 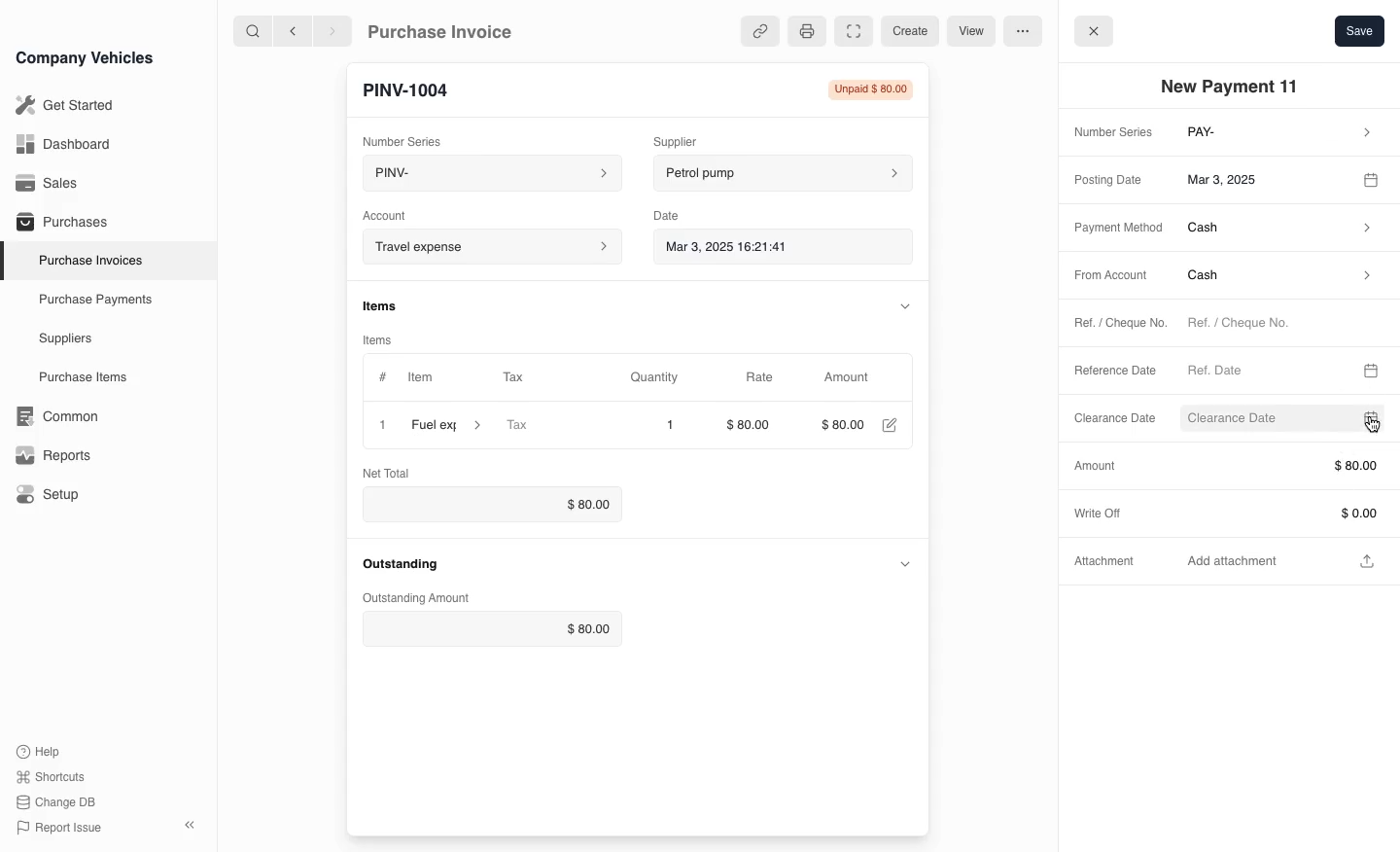 What do you see at coordinates (905, 563) in the screenshot?
I see `expand` at bounding box center [905, 563].